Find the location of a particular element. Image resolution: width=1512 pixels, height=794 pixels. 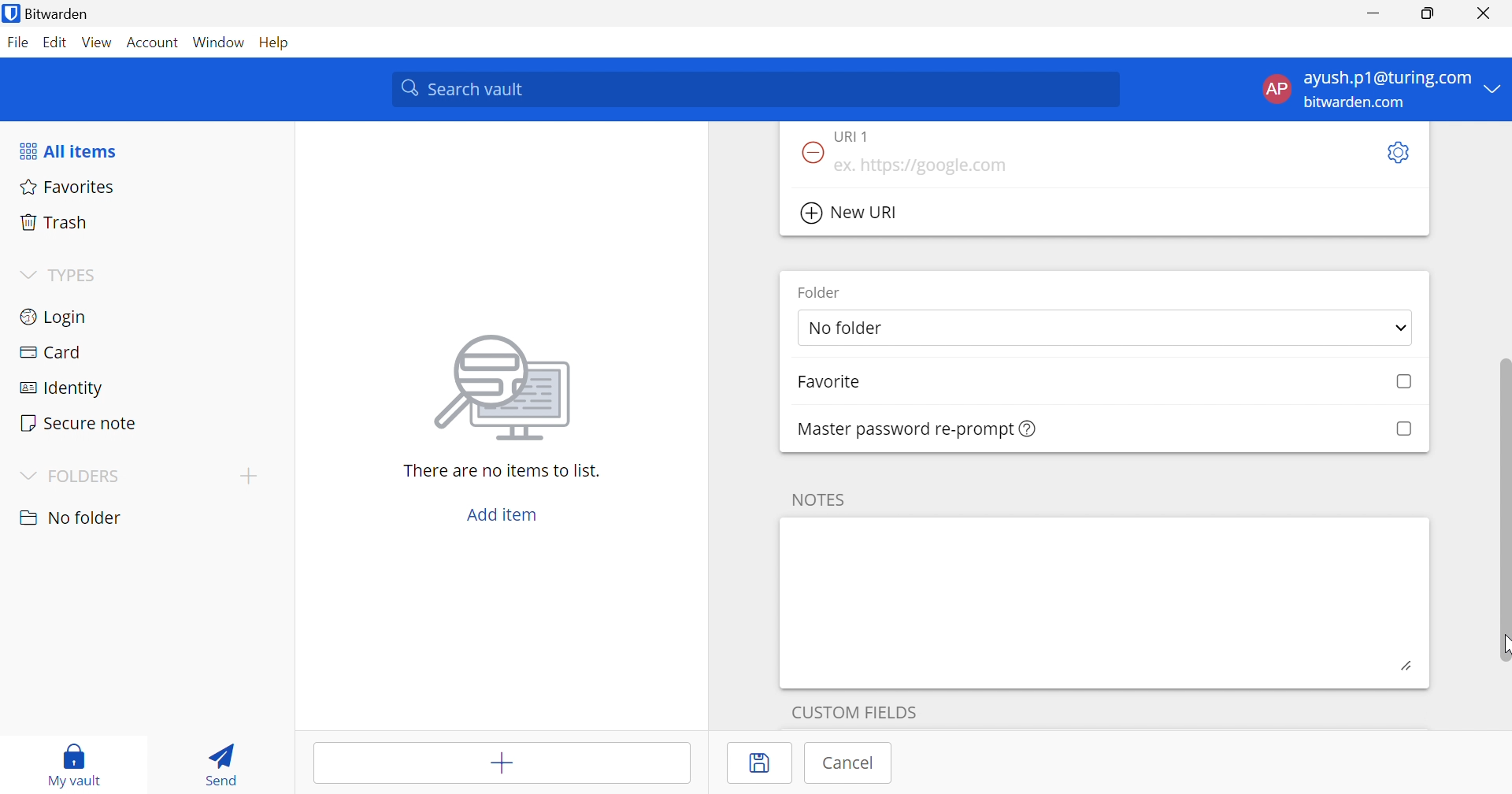

Master password re-prompt is located at coordinates (918, 429).